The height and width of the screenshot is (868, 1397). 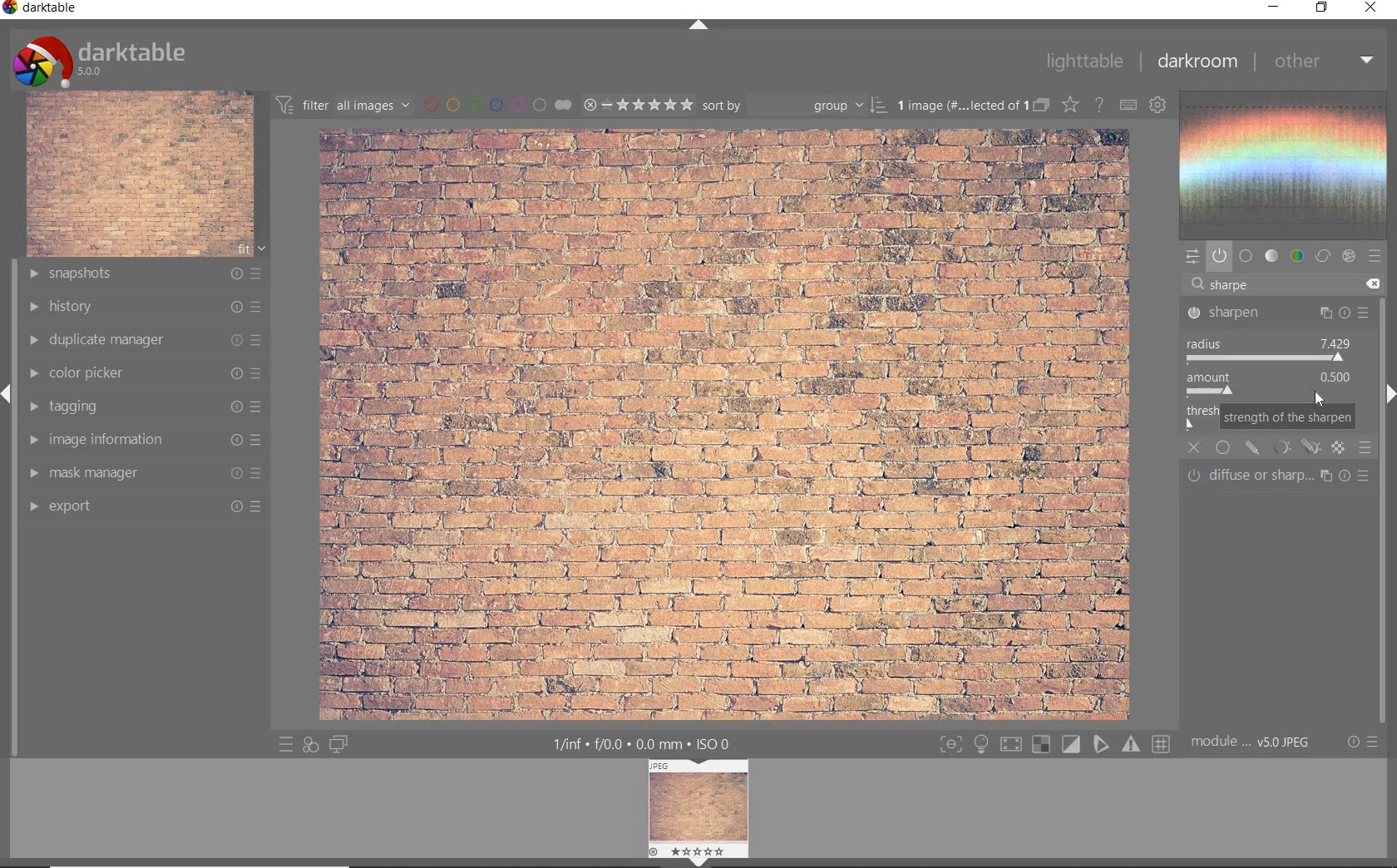 I want to click on show only active module, so click(x=1219, y=256).